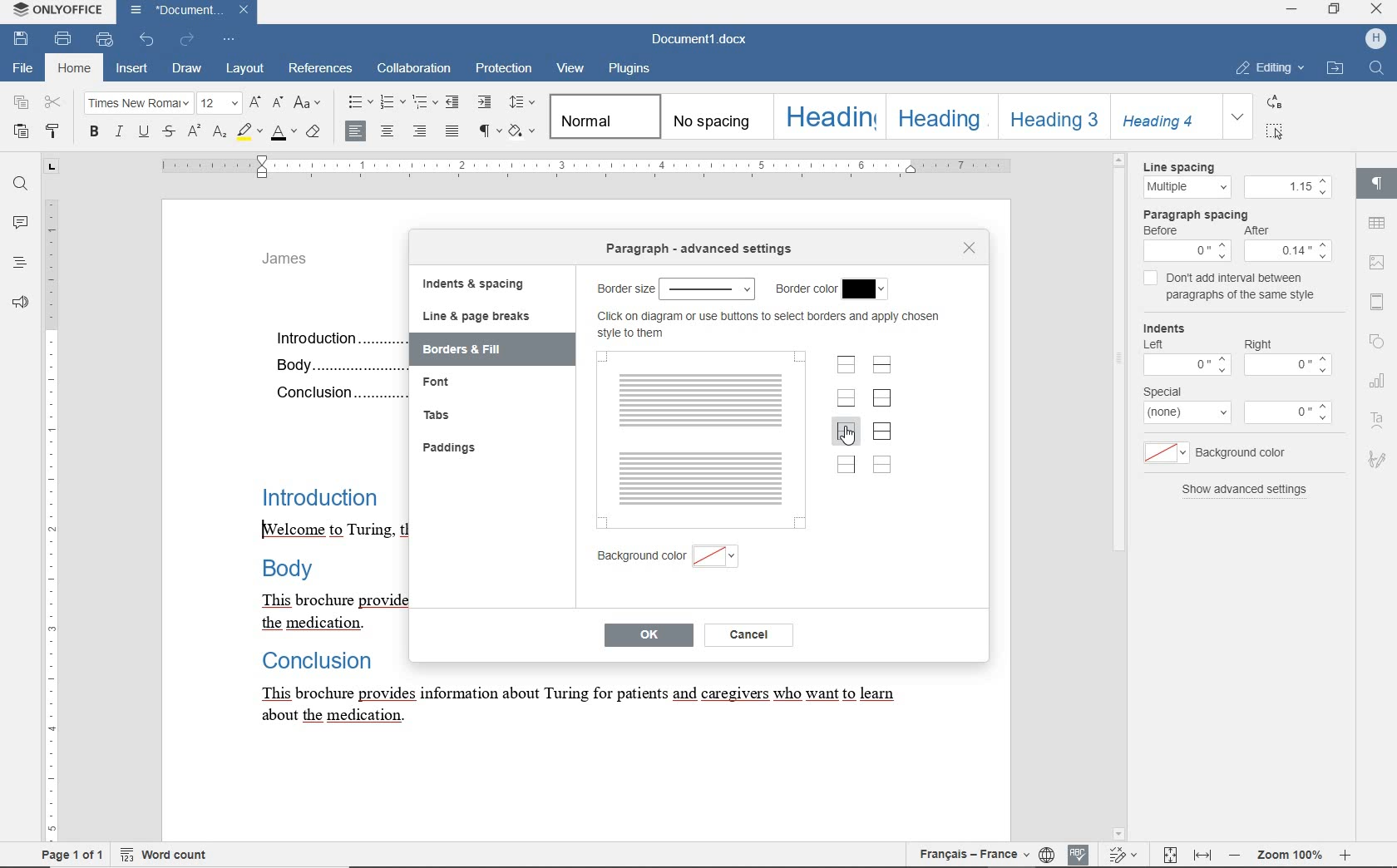  What do you see at coordinates (488, 131) in the screenshot?
I see `nonprinting characters` at bounding box center [488, 131].